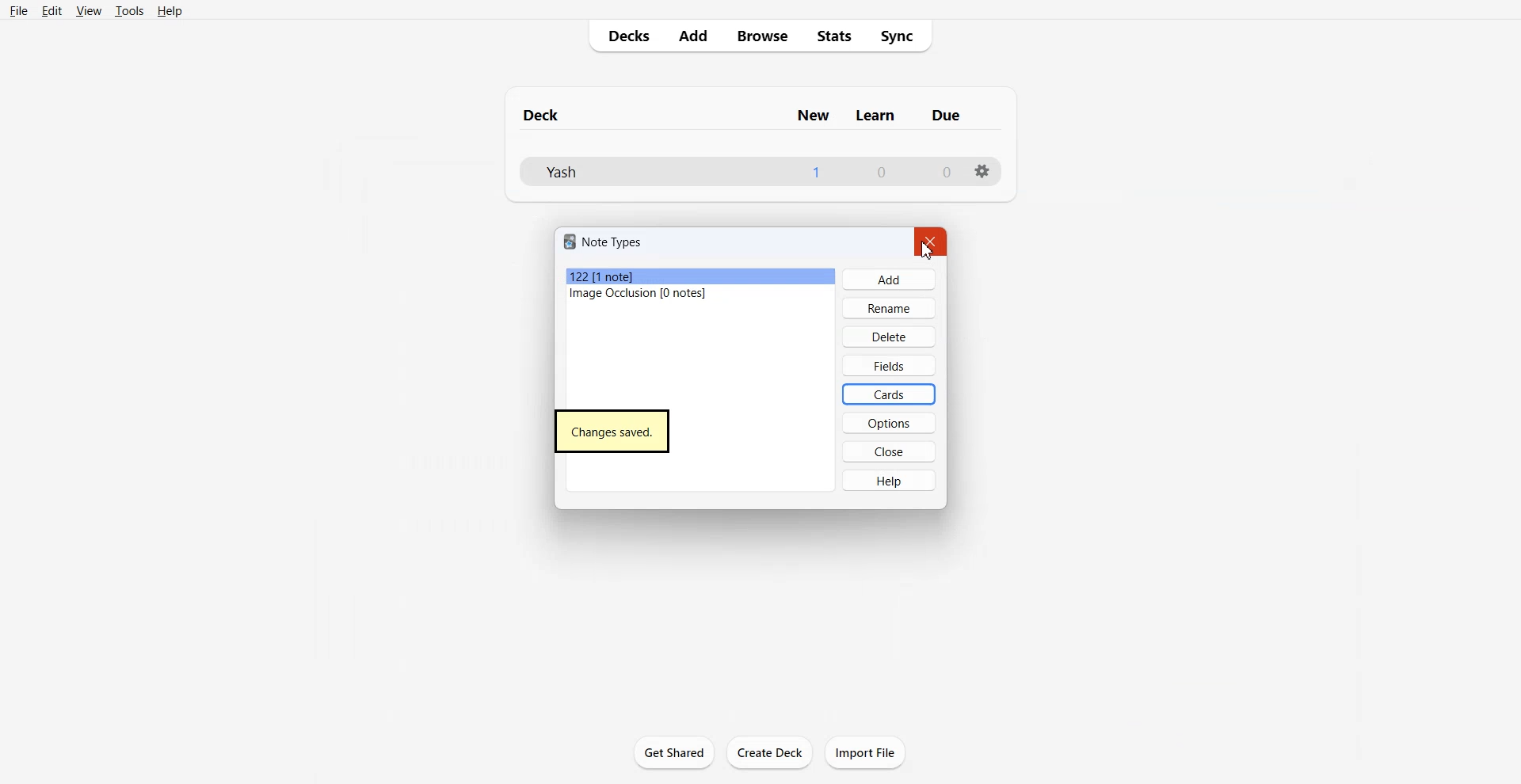 This screenshot has width=1521, height=784. Describe the element at coordinates (887, 423) in the screenshot. I see `Options` at that location.